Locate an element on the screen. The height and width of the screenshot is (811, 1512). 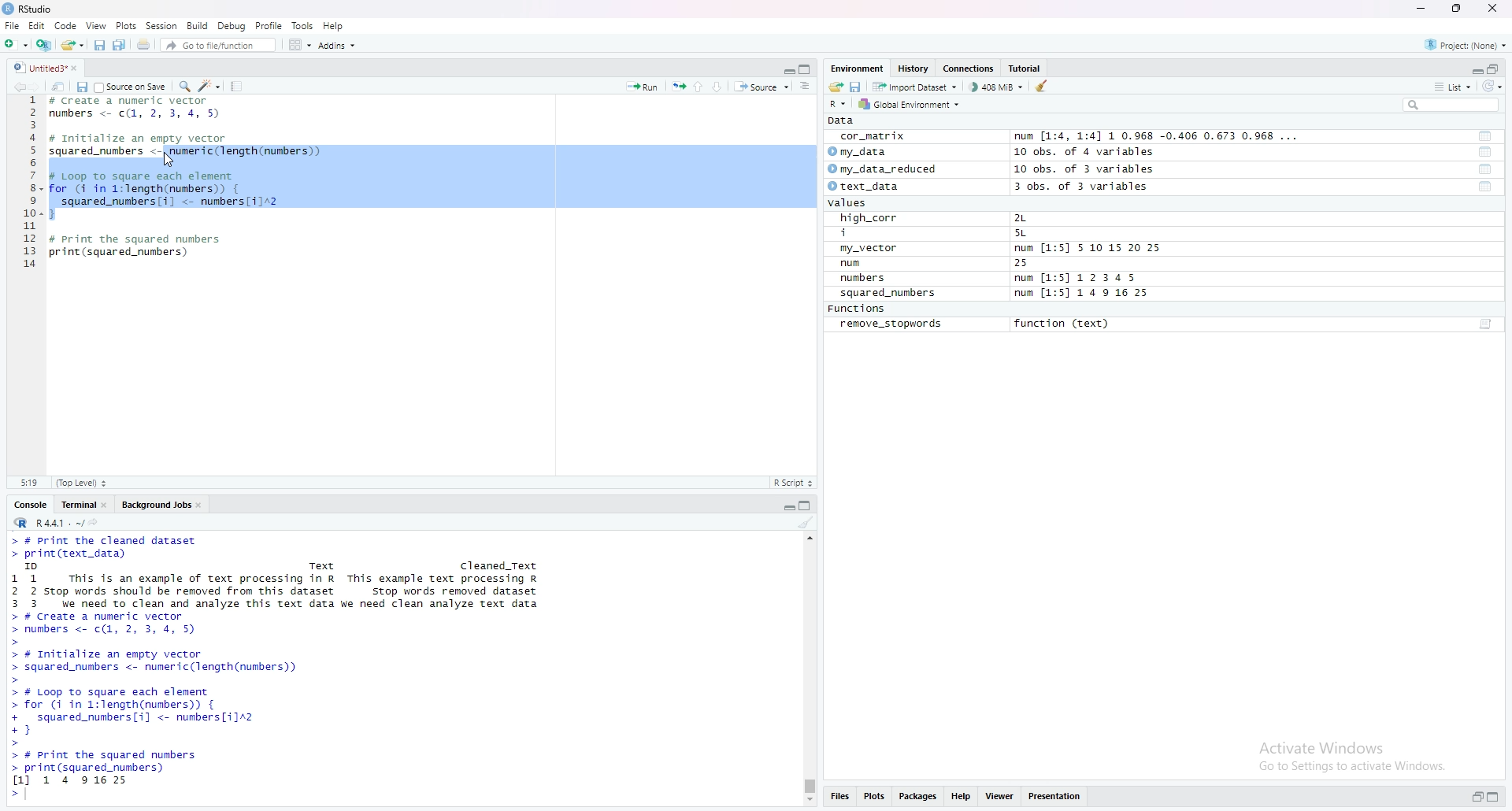
Find/Replace is located at coordinates (184, 85).